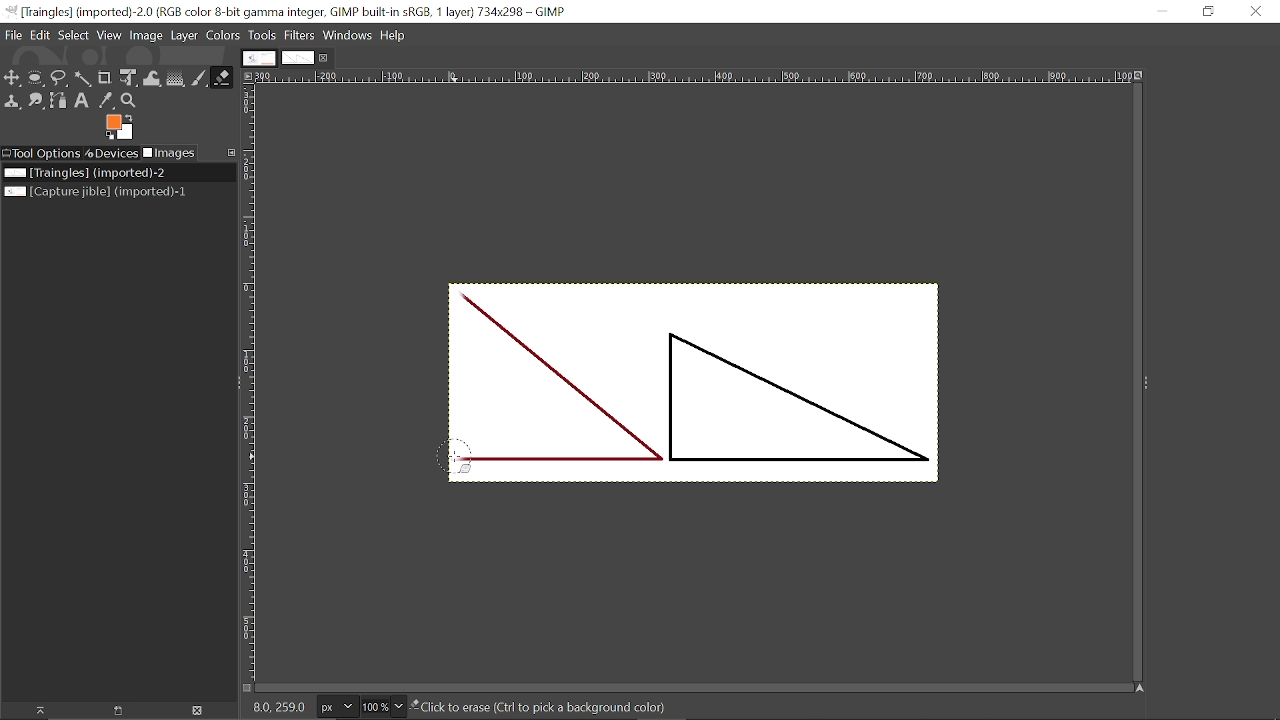 This screenshot has width=1280, height=720. What do you see at coordinates (152, 79) in the screenshot?
I see `Wrap text tool` at bounding box center [152, 79].